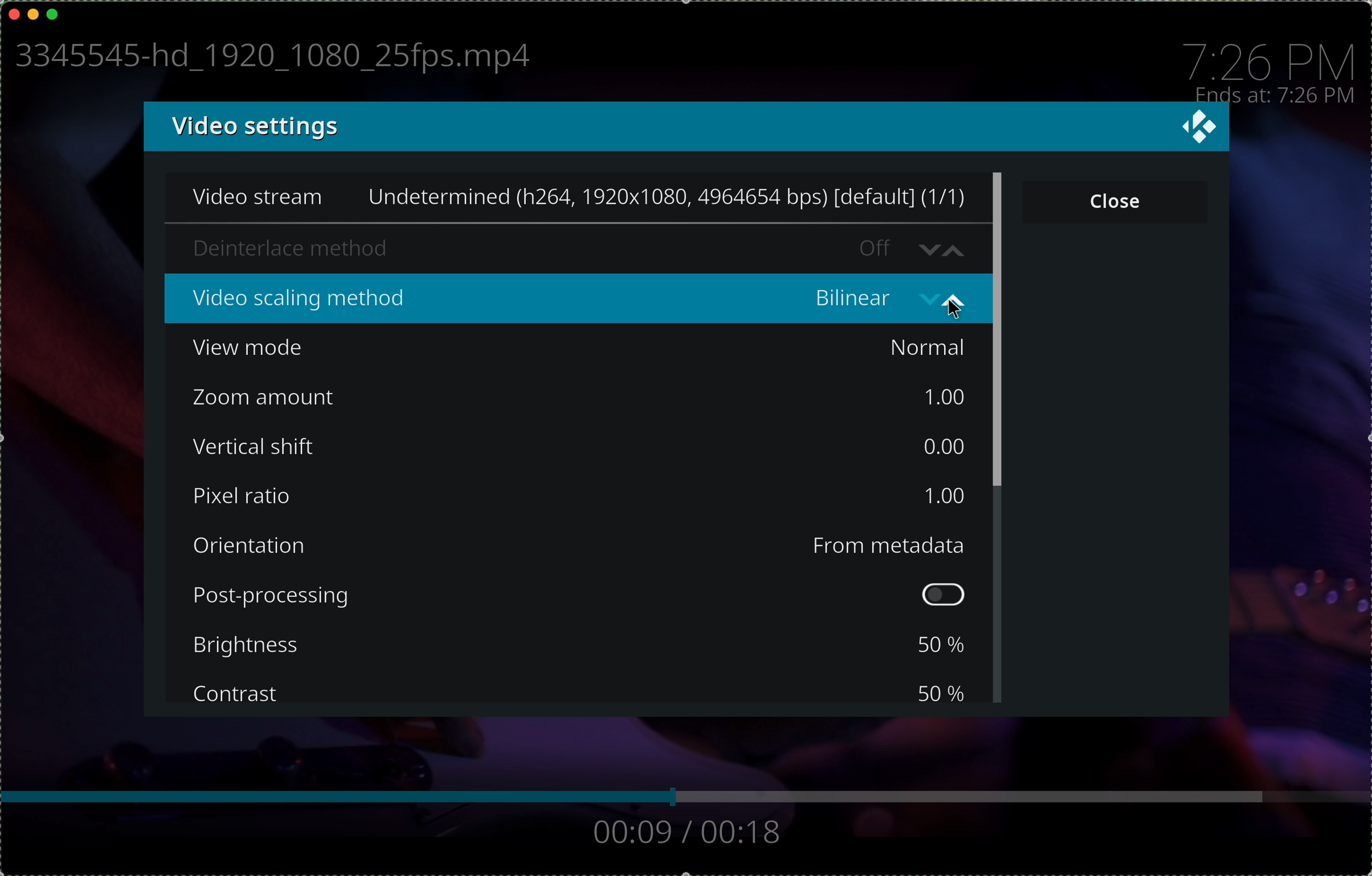  What do you see at coordinates (255, 349) in the screenshot?
I see `view mode` at bounding box center [255, 349].